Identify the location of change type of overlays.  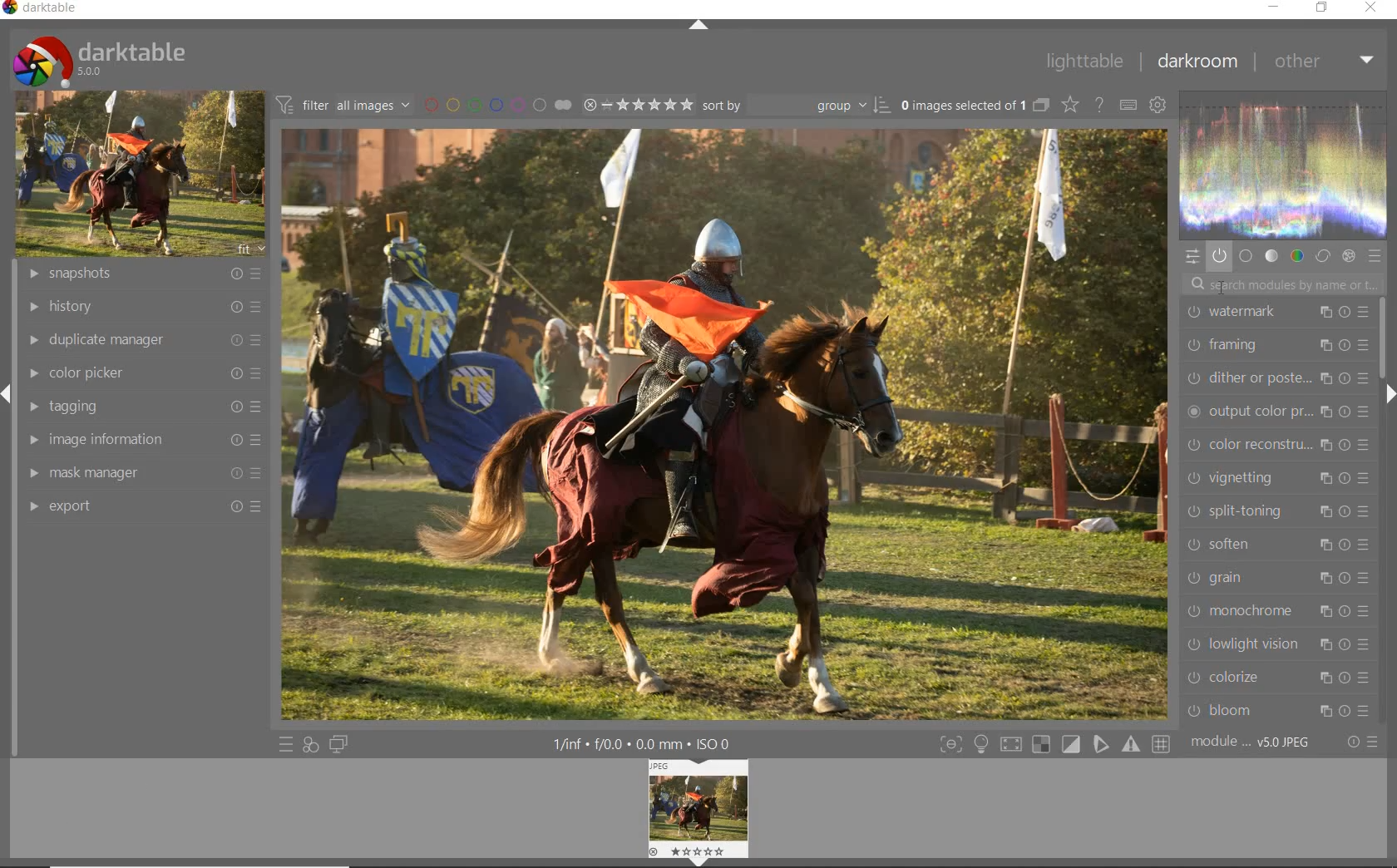
(1072, 106).